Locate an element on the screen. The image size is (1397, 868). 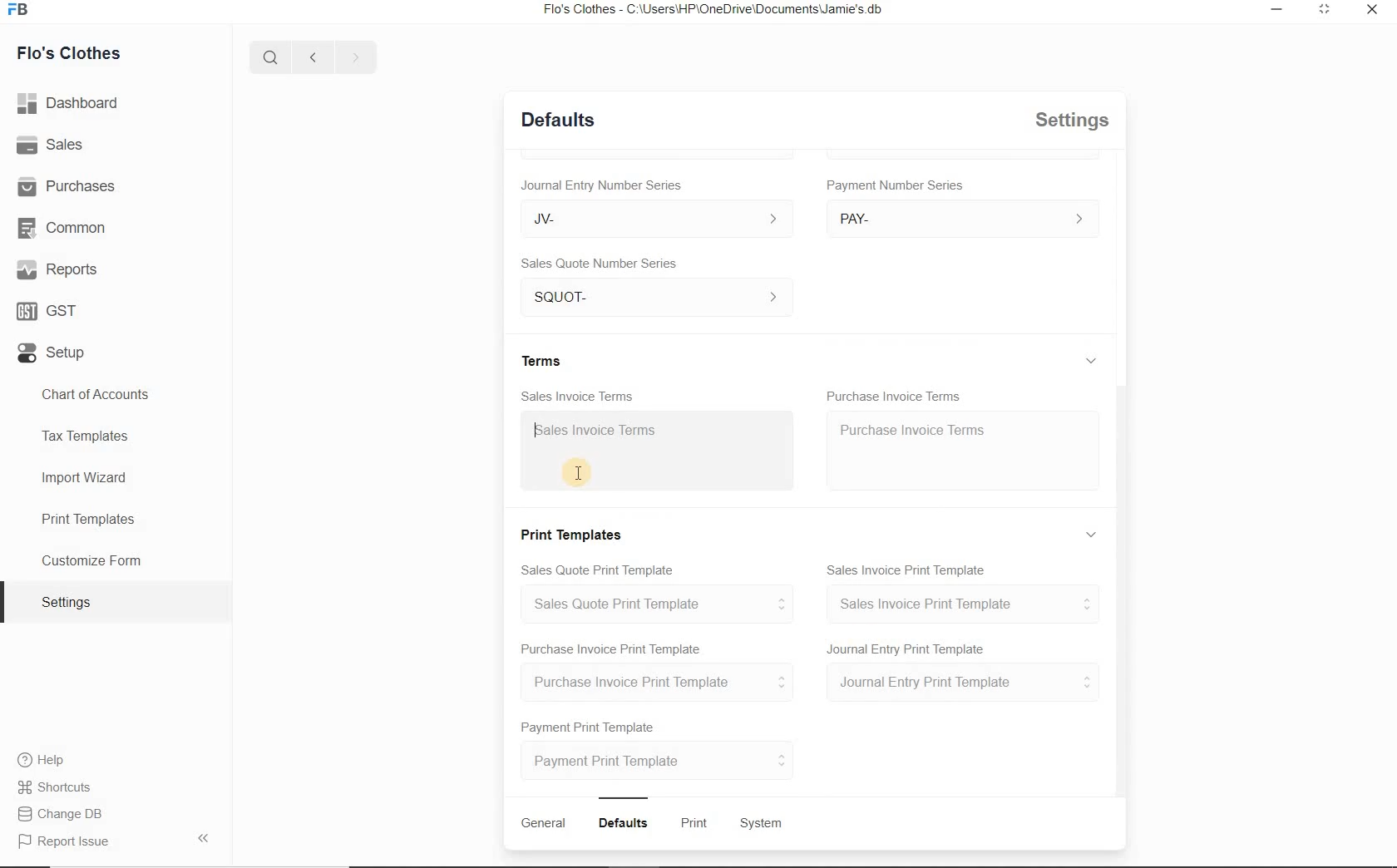
Reports is located at coordinates (56, 269).